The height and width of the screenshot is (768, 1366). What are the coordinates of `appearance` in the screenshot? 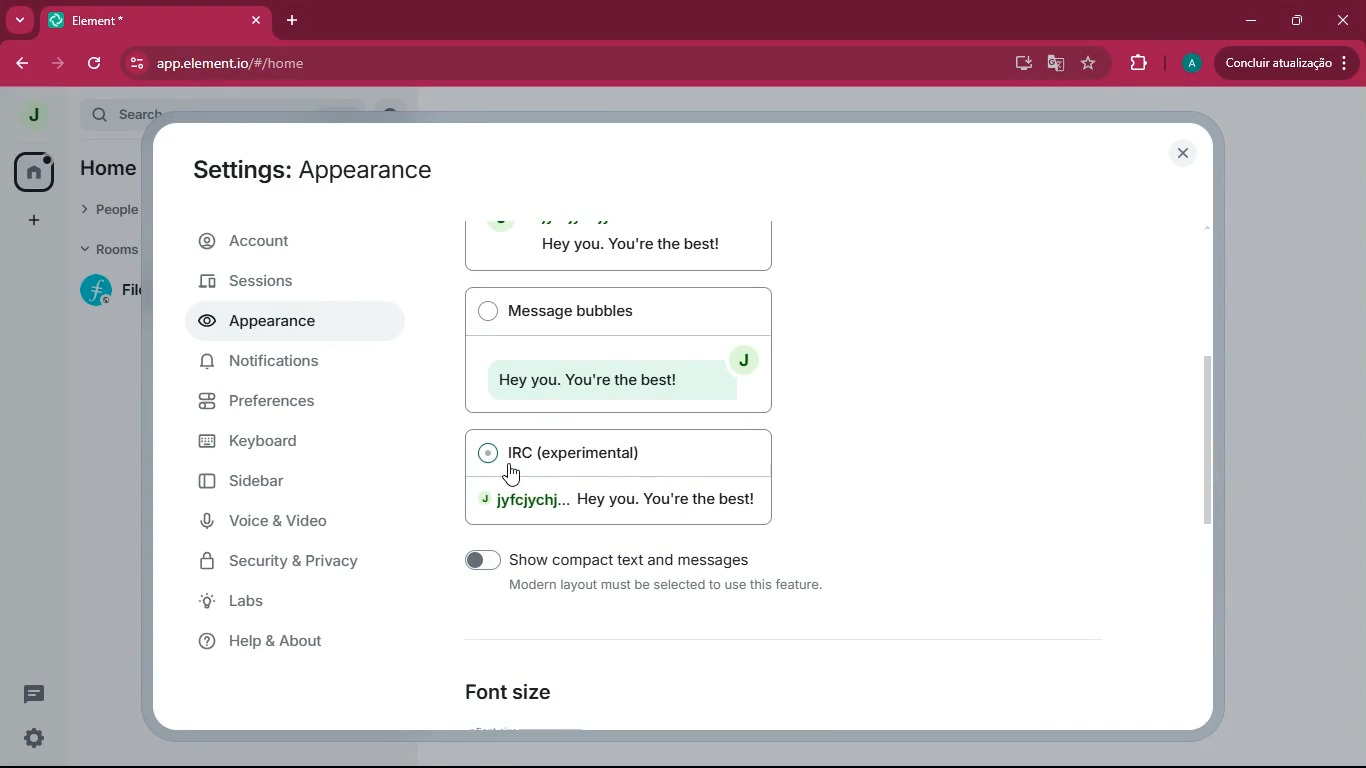 It's located at (269, 323).